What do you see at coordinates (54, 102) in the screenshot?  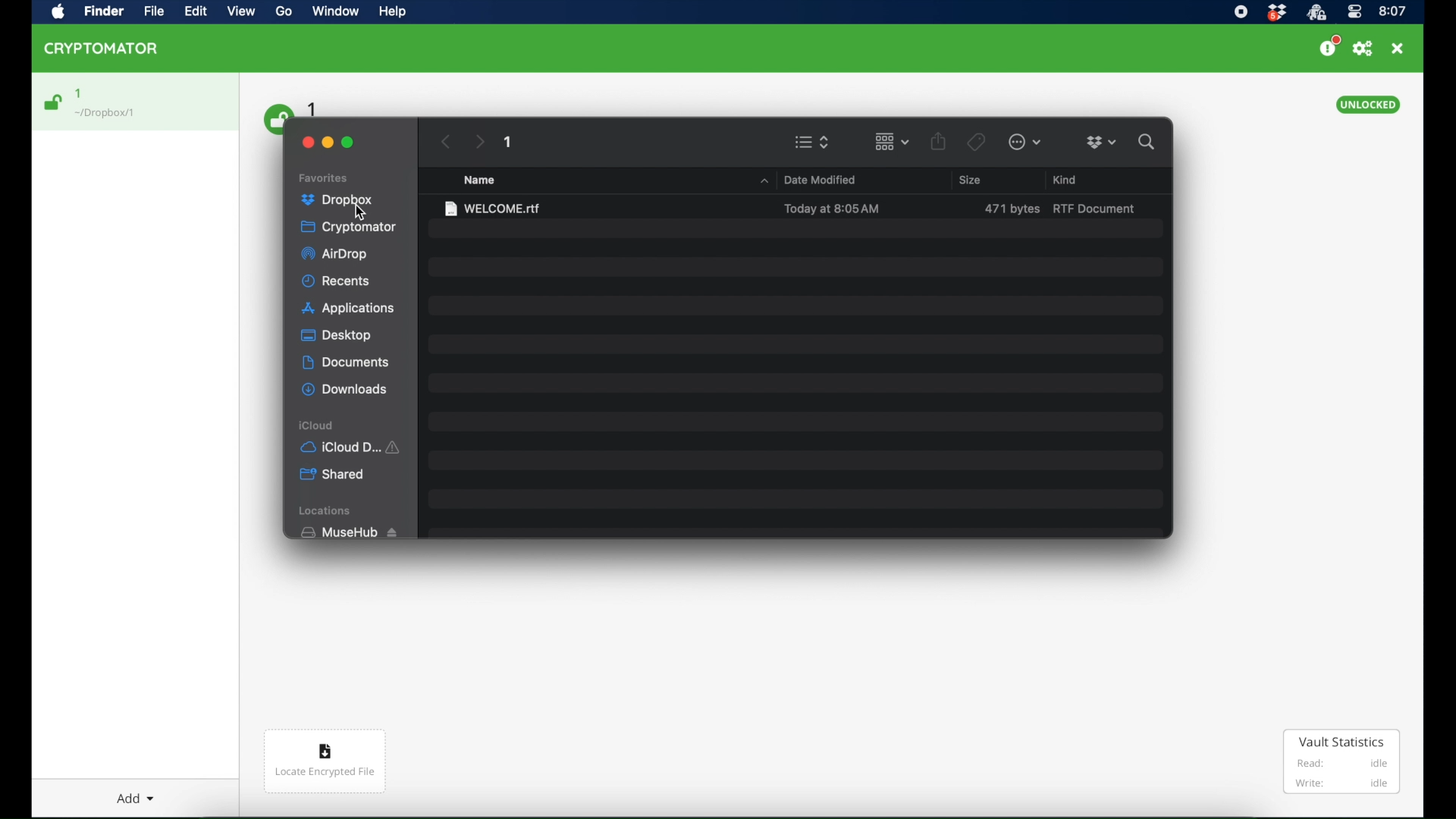 I see `unlocked icon` at bounding box center [54, 102].